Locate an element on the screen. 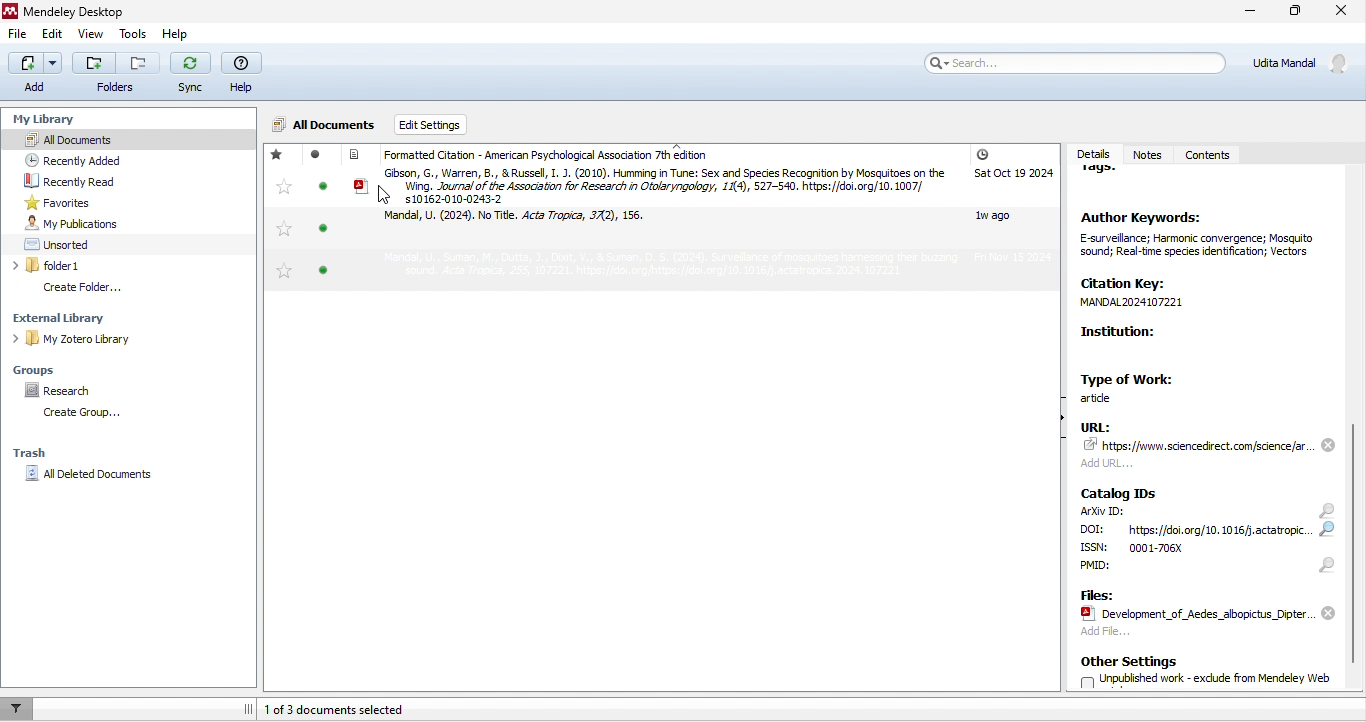 The height and width of the screenshot is (722, 1366). add is located at coordinates (35, 72).